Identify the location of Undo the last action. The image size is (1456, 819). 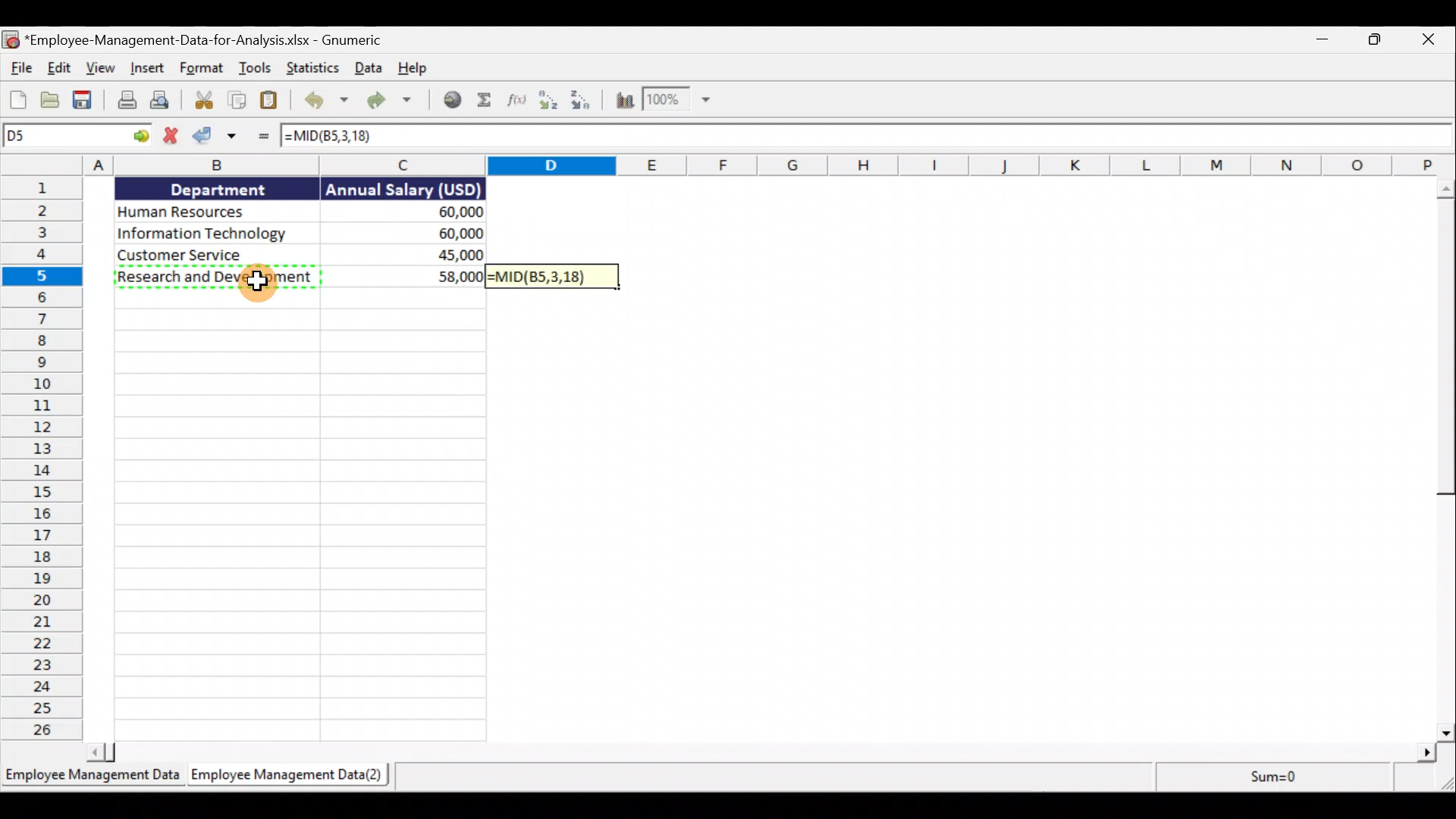
(324, 100).